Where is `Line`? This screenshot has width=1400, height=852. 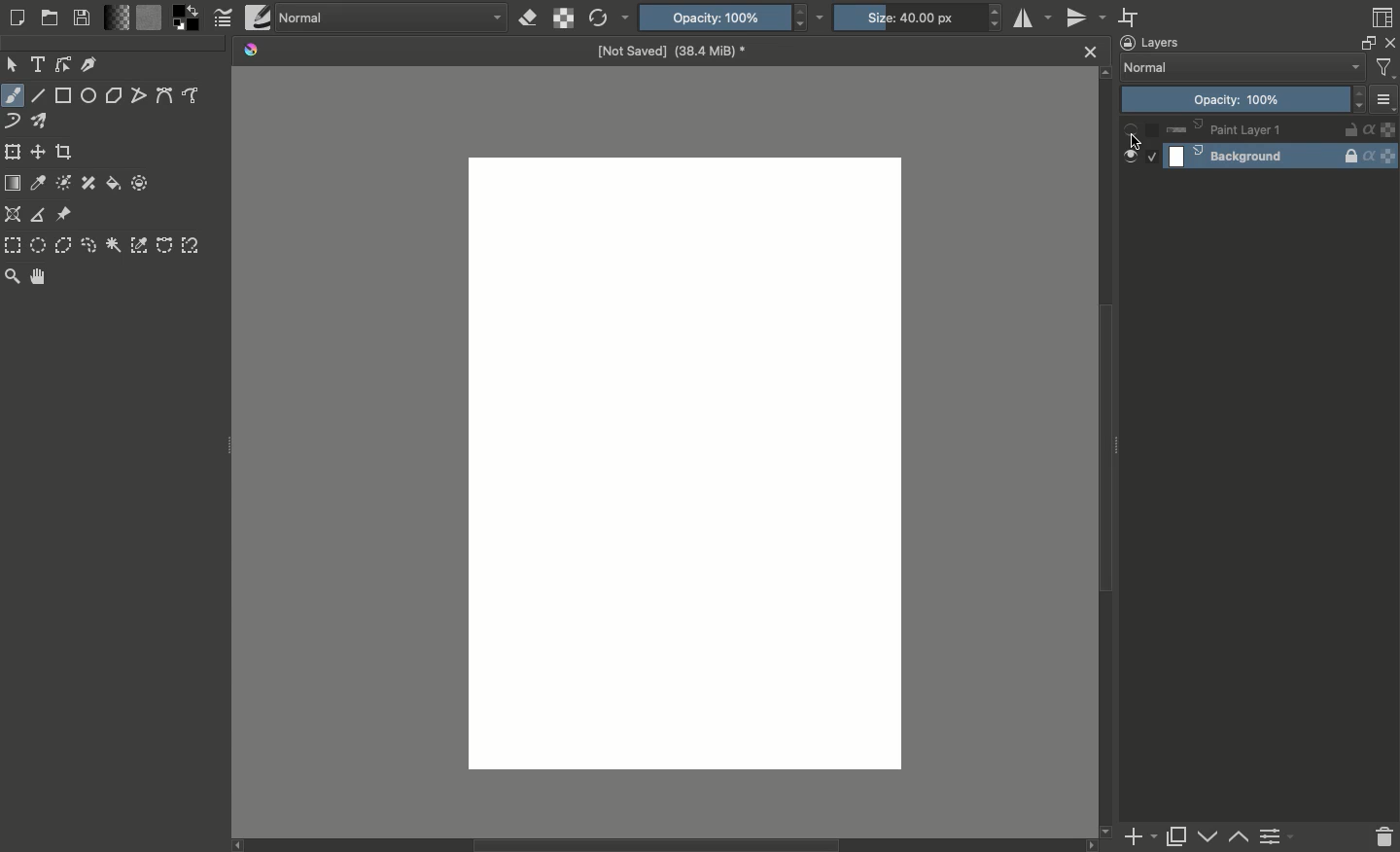 Line is located at coordinates (40, 94).